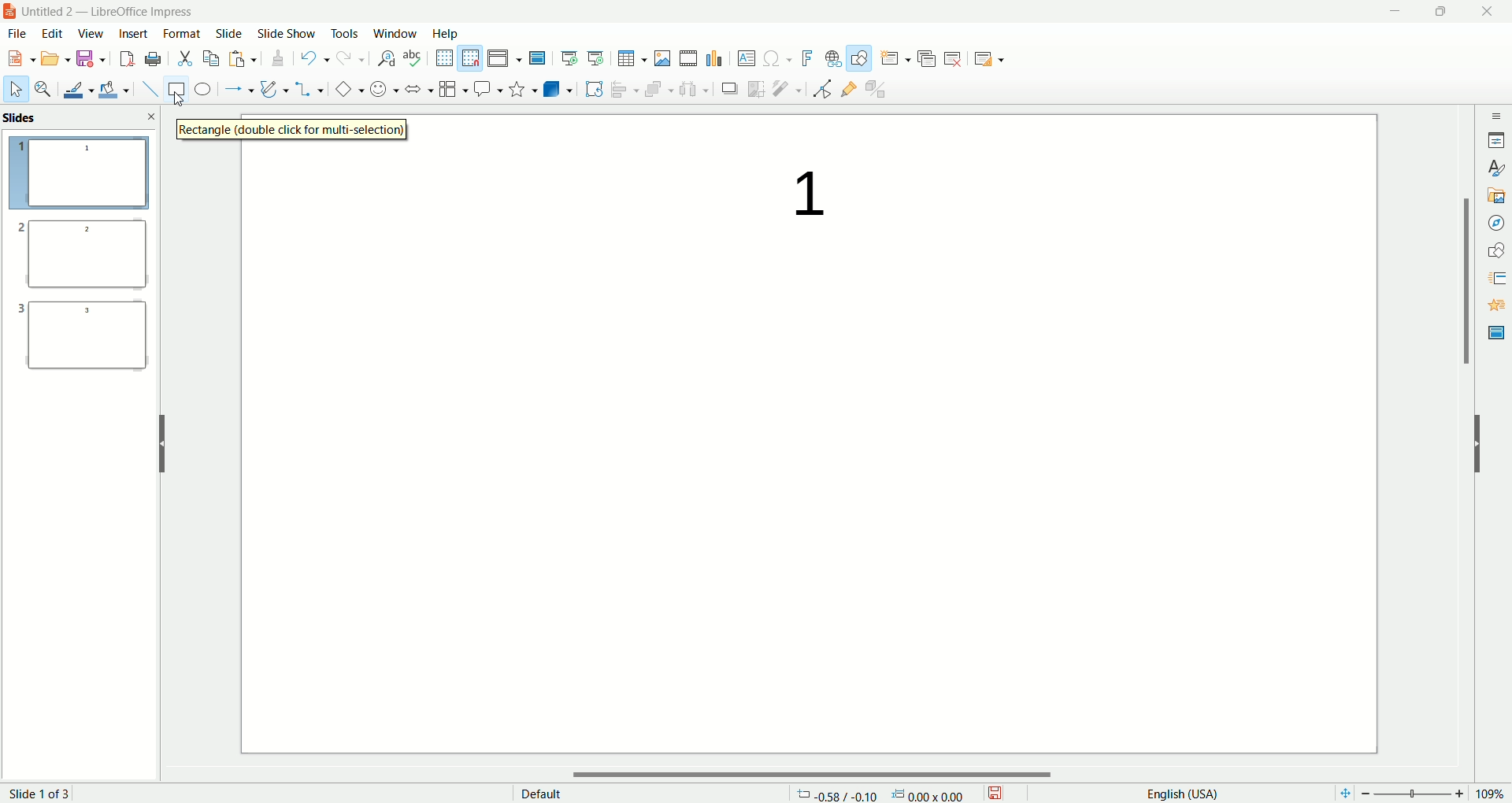 The image size is (1512, 803). I want to click on file, so click(22, 34).